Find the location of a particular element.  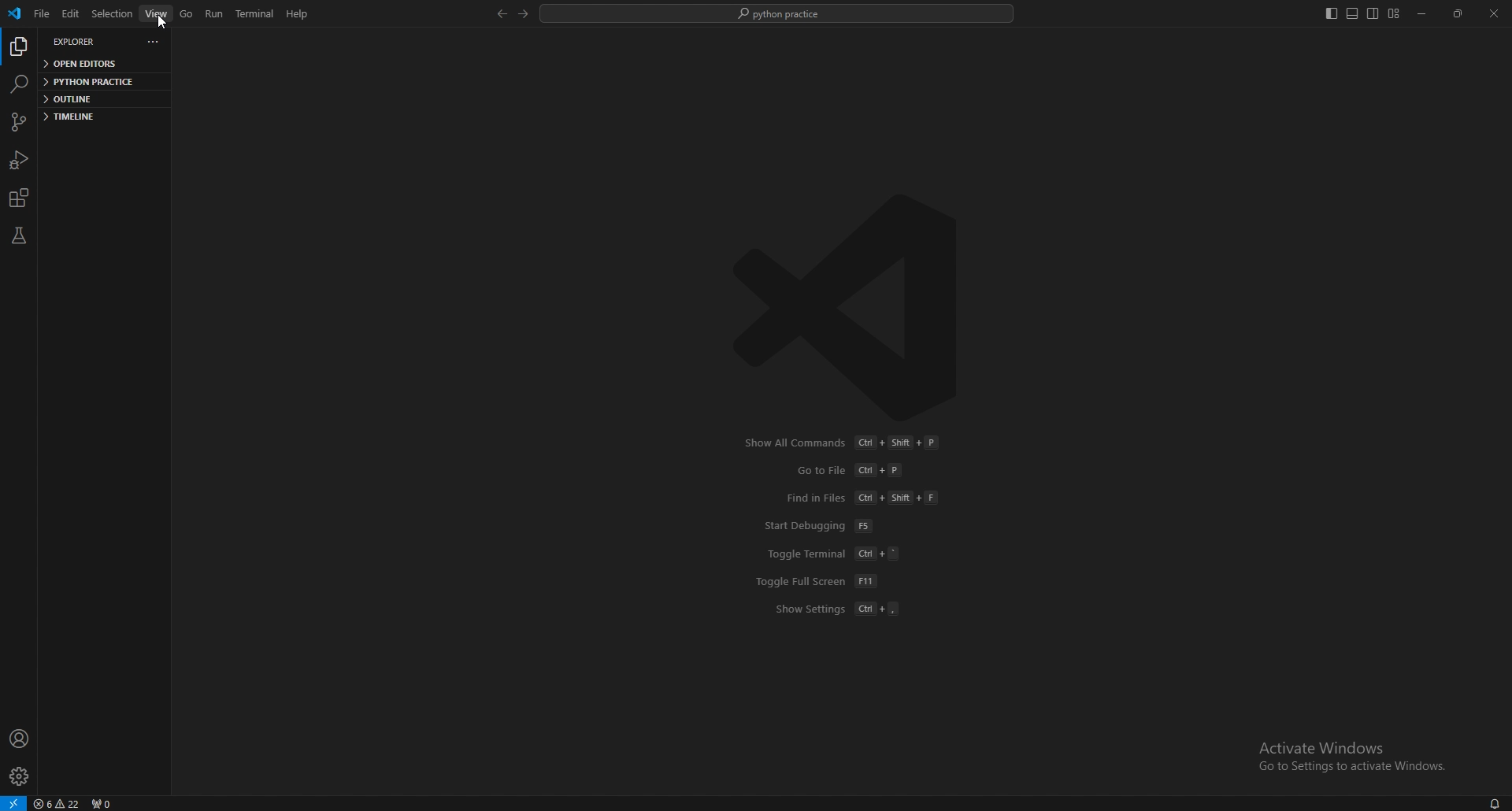

python practice is located at coordinates (98, 80).